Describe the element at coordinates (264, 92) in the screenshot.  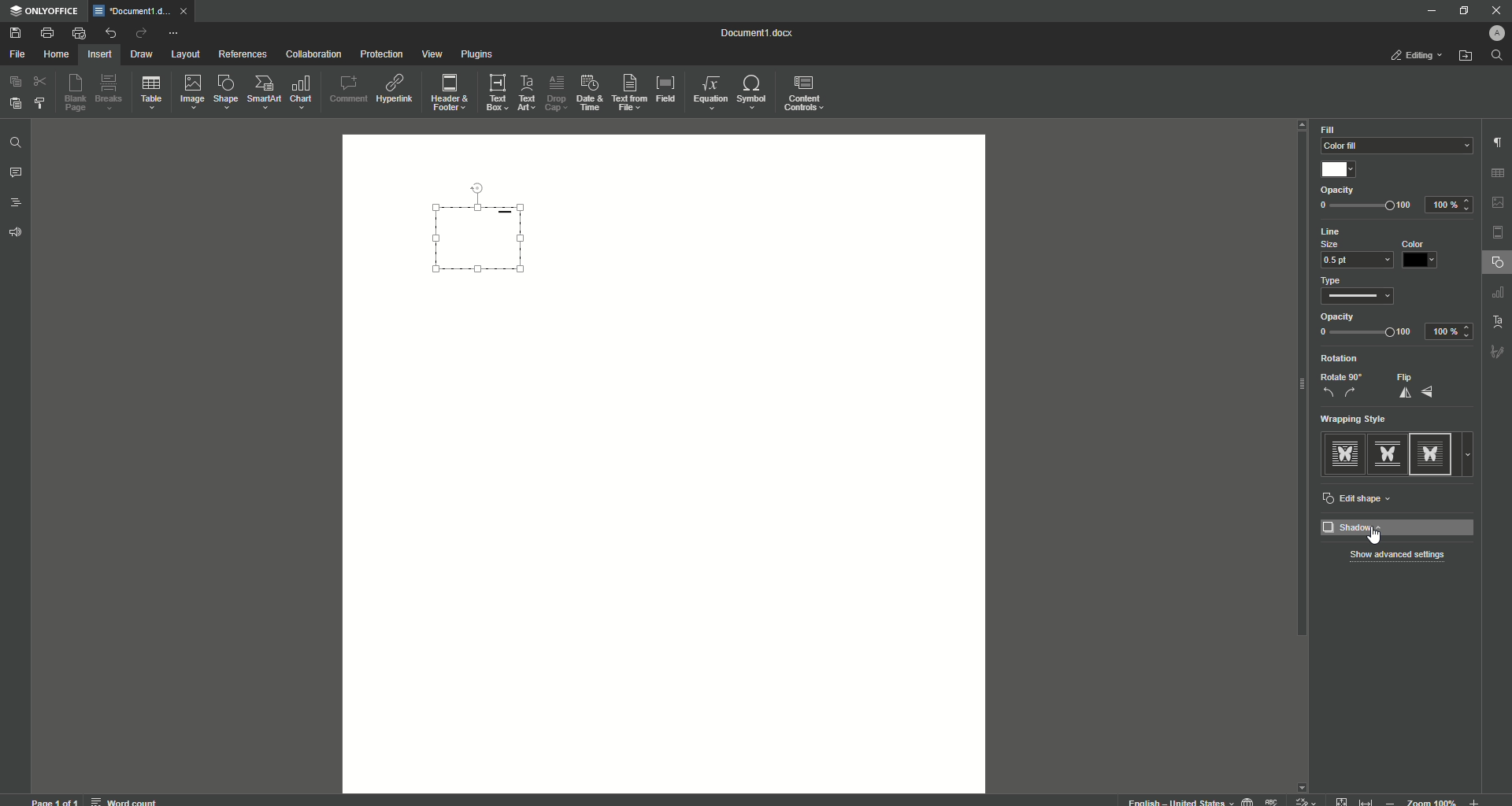
I see `SmartArt` at that location.